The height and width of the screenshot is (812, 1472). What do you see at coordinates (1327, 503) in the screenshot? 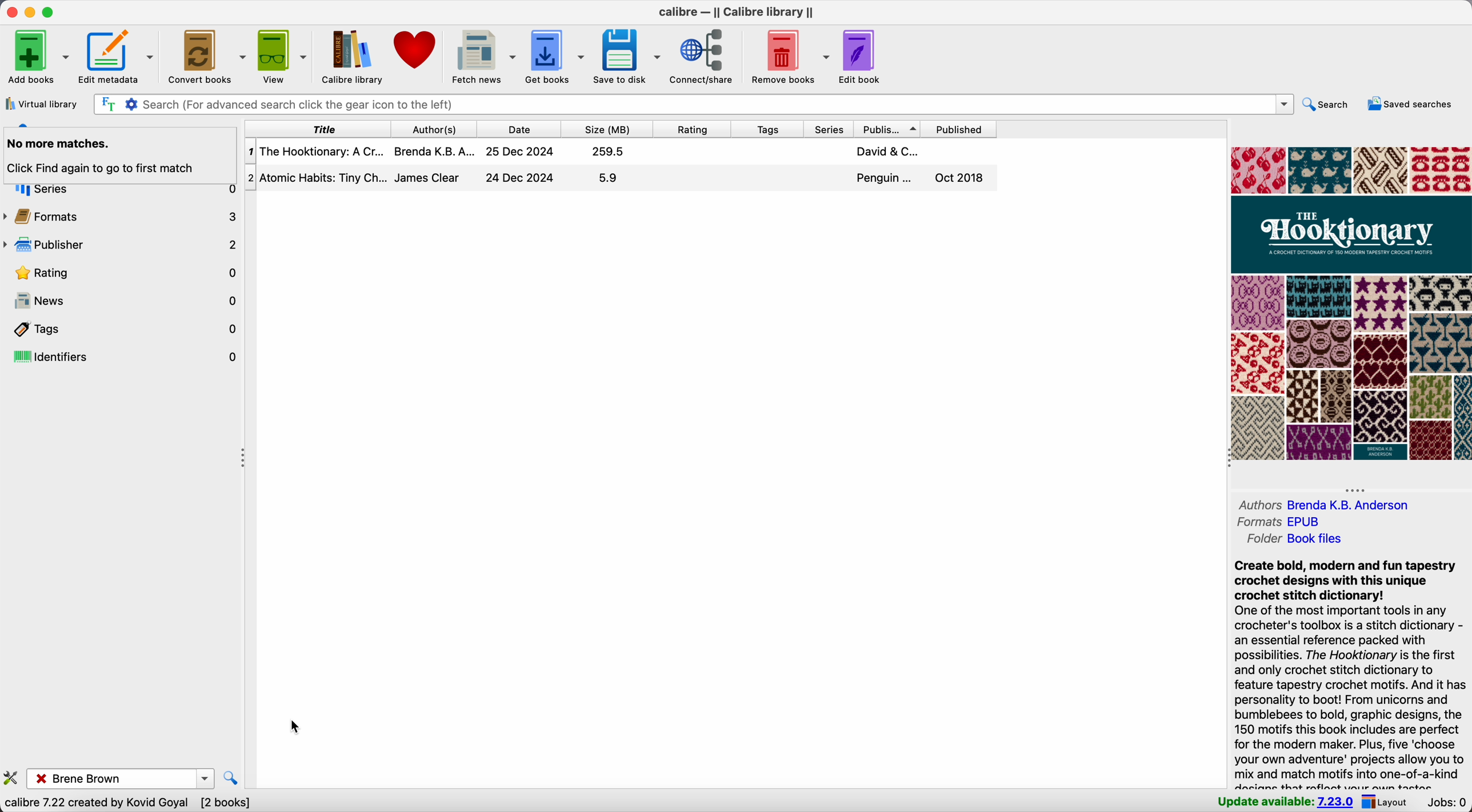
I see `authors` at bounding box center [1327, 503].